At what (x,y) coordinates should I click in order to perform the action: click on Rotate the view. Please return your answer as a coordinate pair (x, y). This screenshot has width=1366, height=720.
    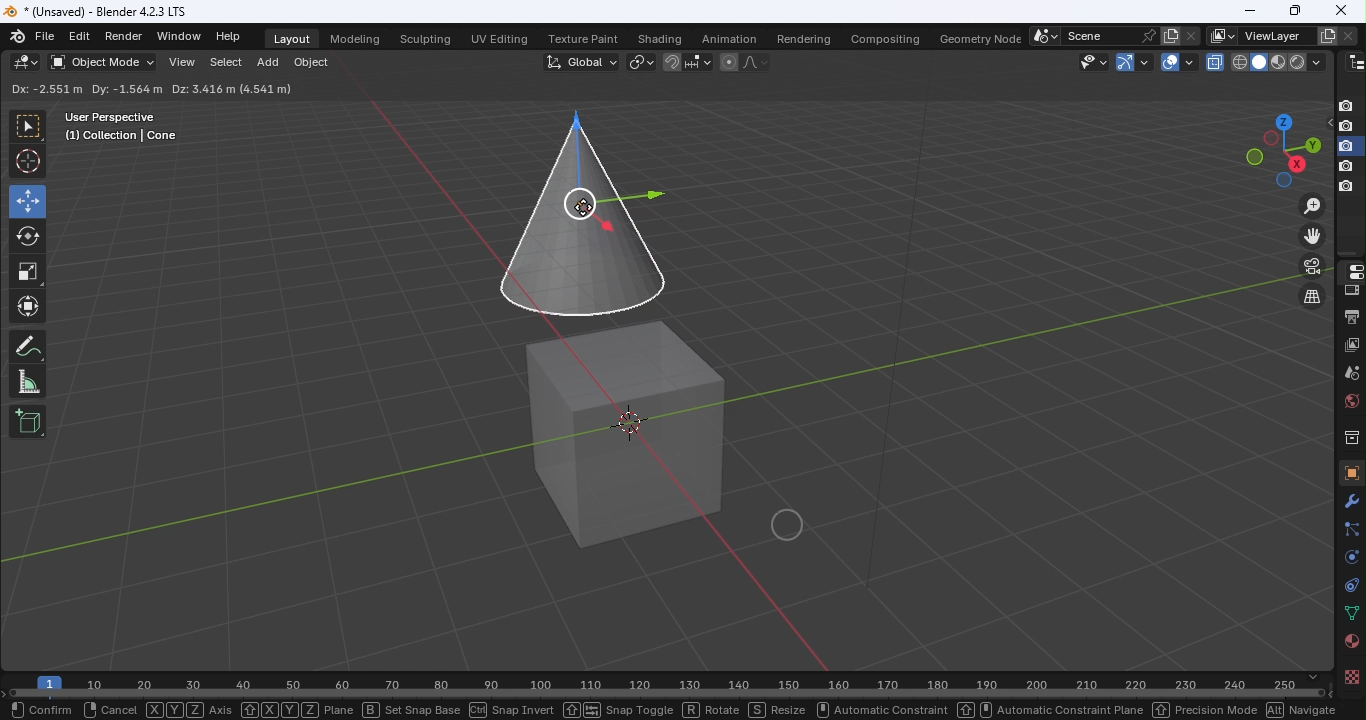
    Looking at the image, I should click on (1283, 182).